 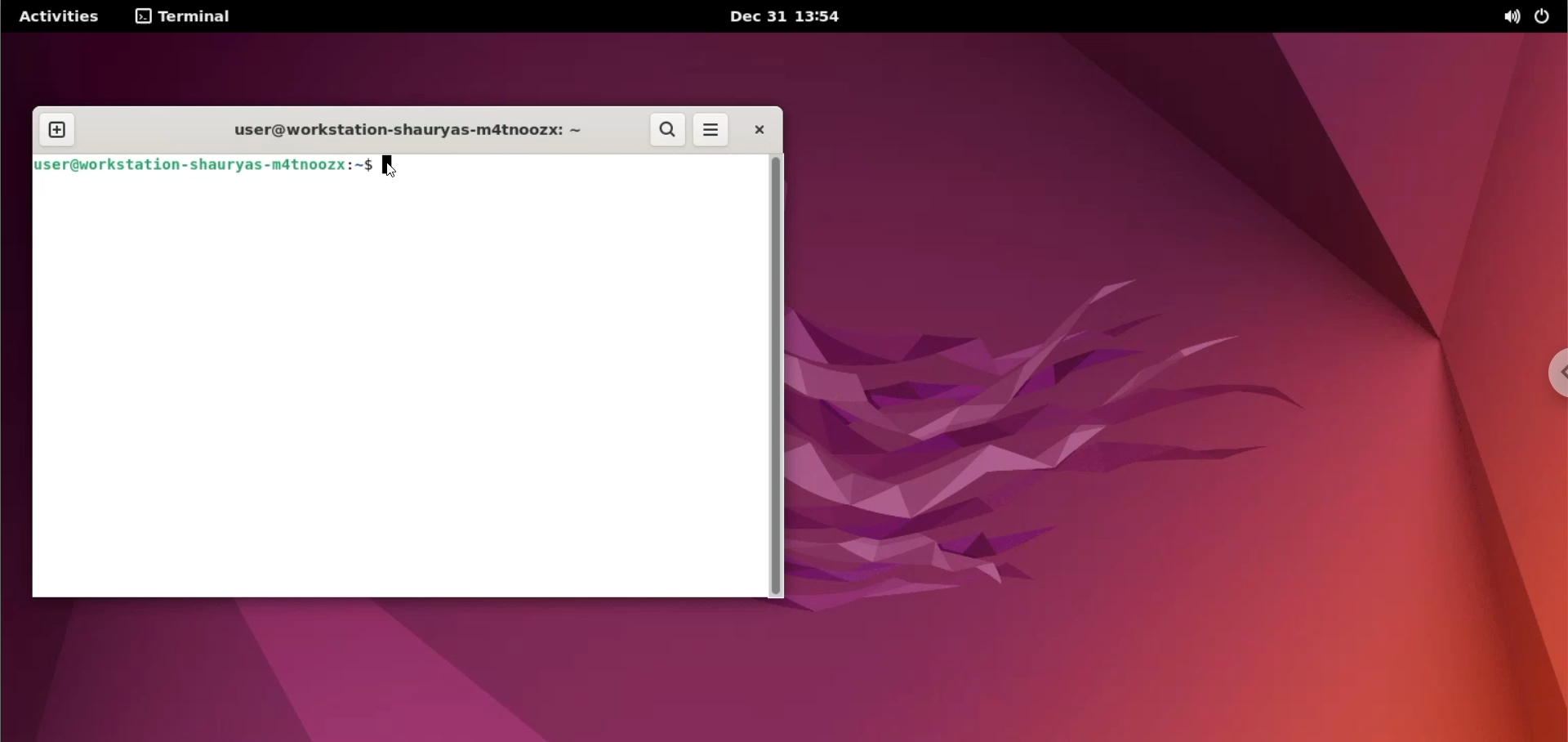 What do you see at coordinates (58, 15) in the screenshot?
I see `Activities` at bounding box center [58, 15].